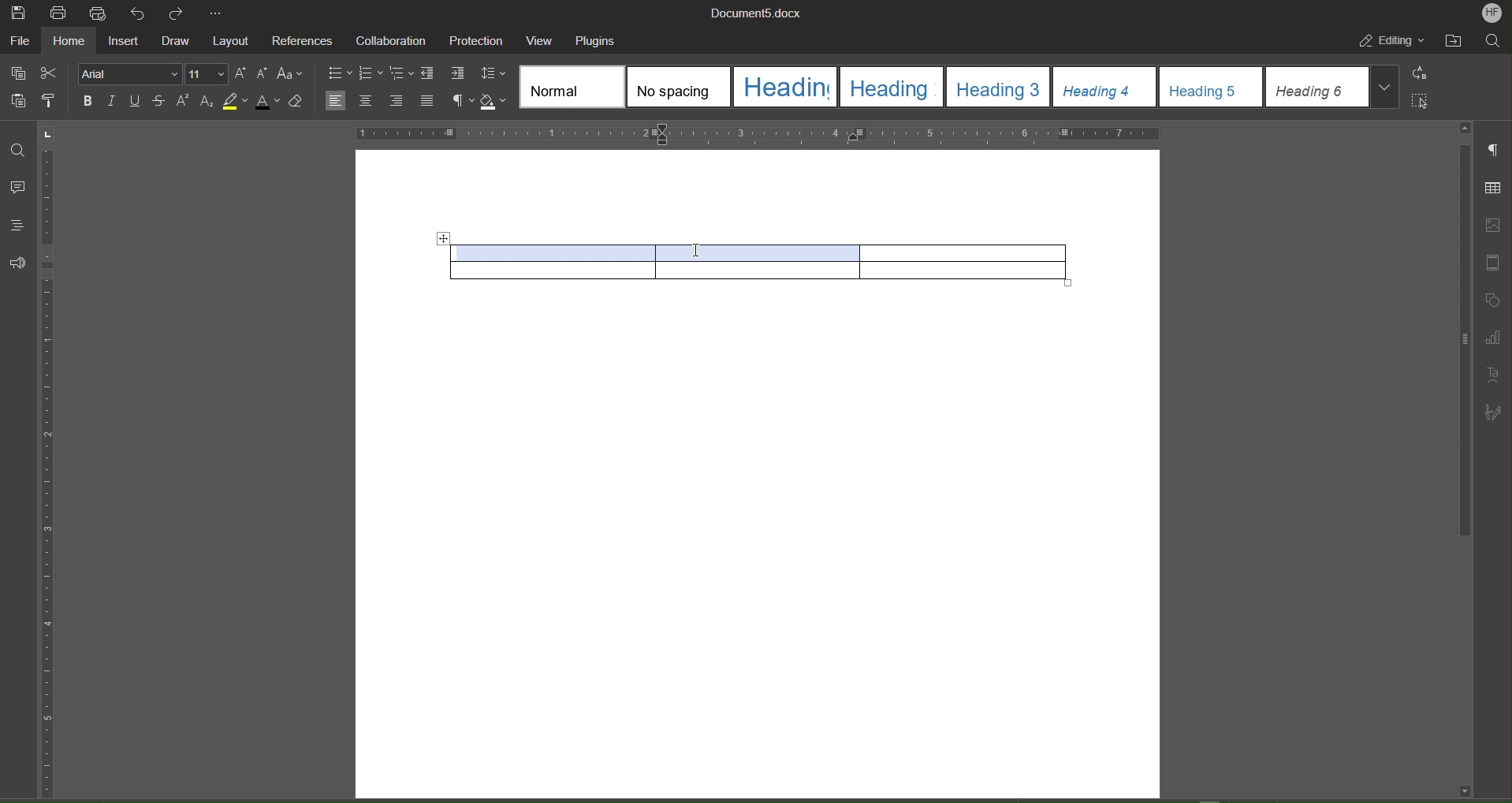  What do you see at coordinates (1496, 373) in the screenshot?
I see `Text Art` at bounding box center [1496, 373].